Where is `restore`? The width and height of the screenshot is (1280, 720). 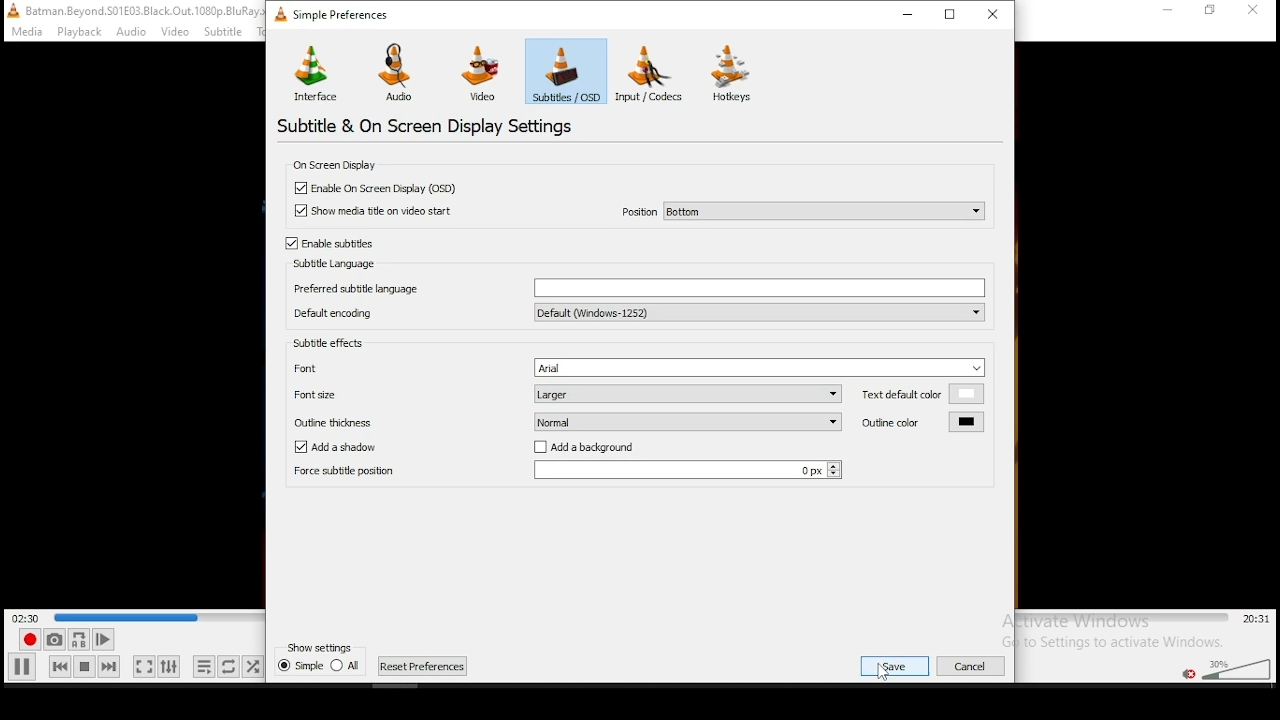 restore is located at coordinates (1210, 11).